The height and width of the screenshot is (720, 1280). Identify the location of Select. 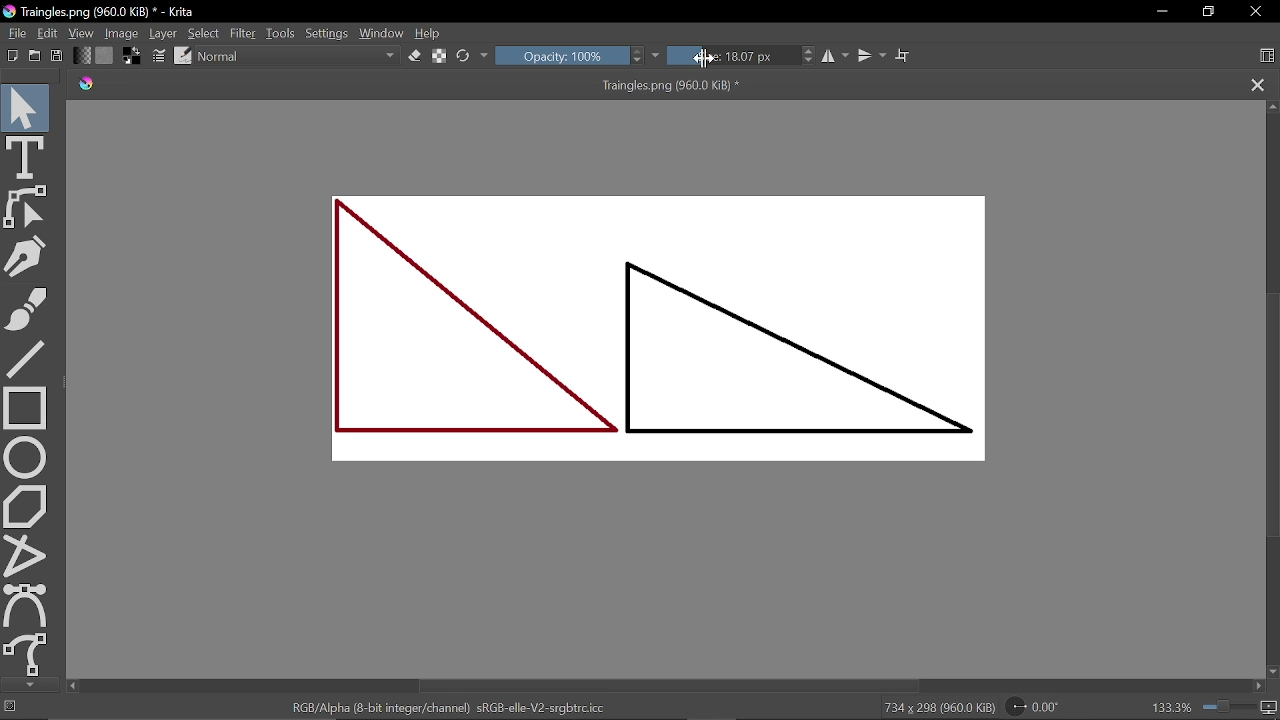
(204, 34).